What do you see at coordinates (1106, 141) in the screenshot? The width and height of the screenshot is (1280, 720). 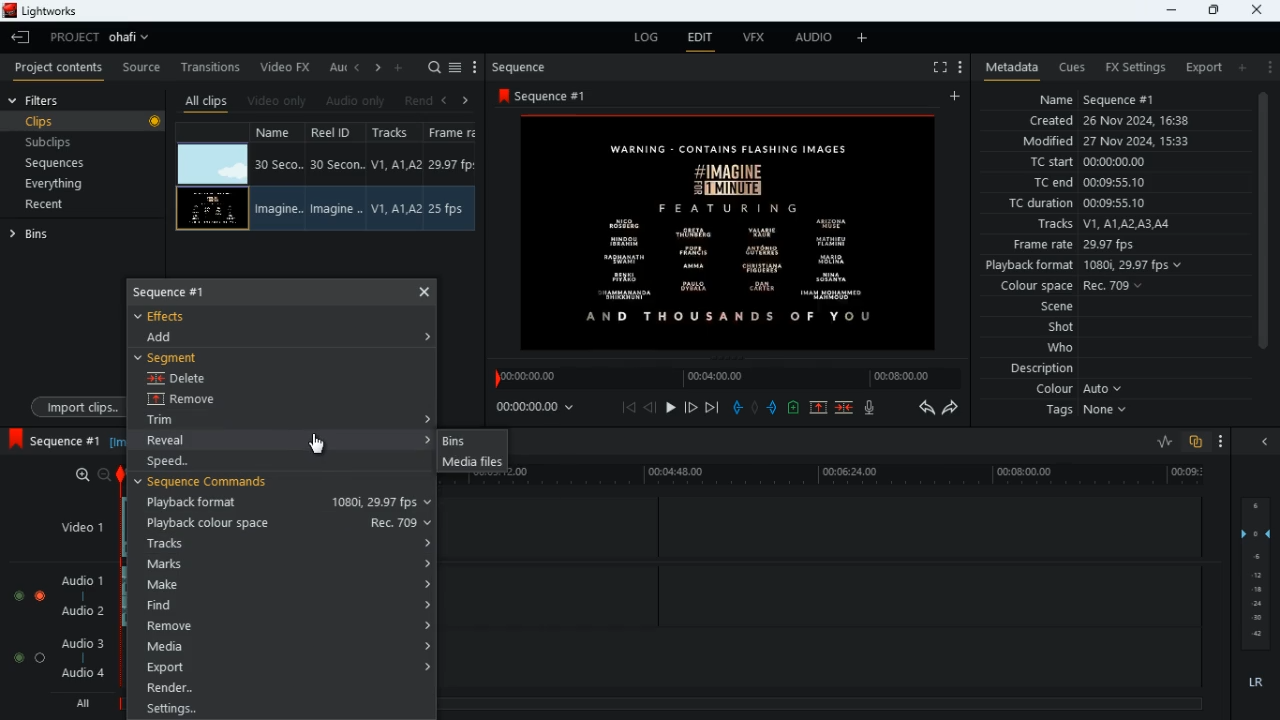 I see `modified` at bounding box center [1106, 141].